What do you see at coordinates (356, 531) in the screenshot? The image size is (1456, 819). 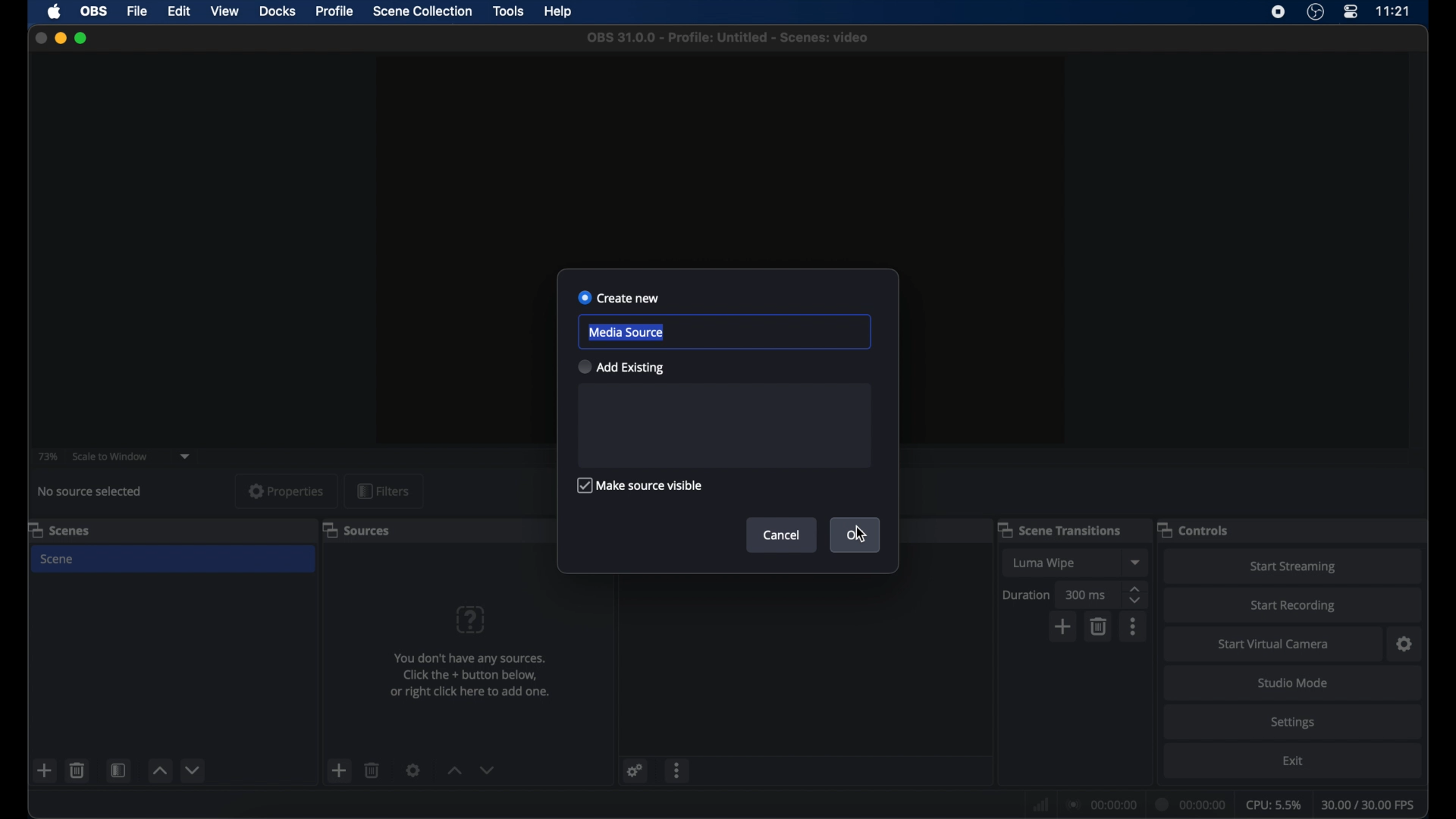 I see `sources` at bounding box center [356, 531].